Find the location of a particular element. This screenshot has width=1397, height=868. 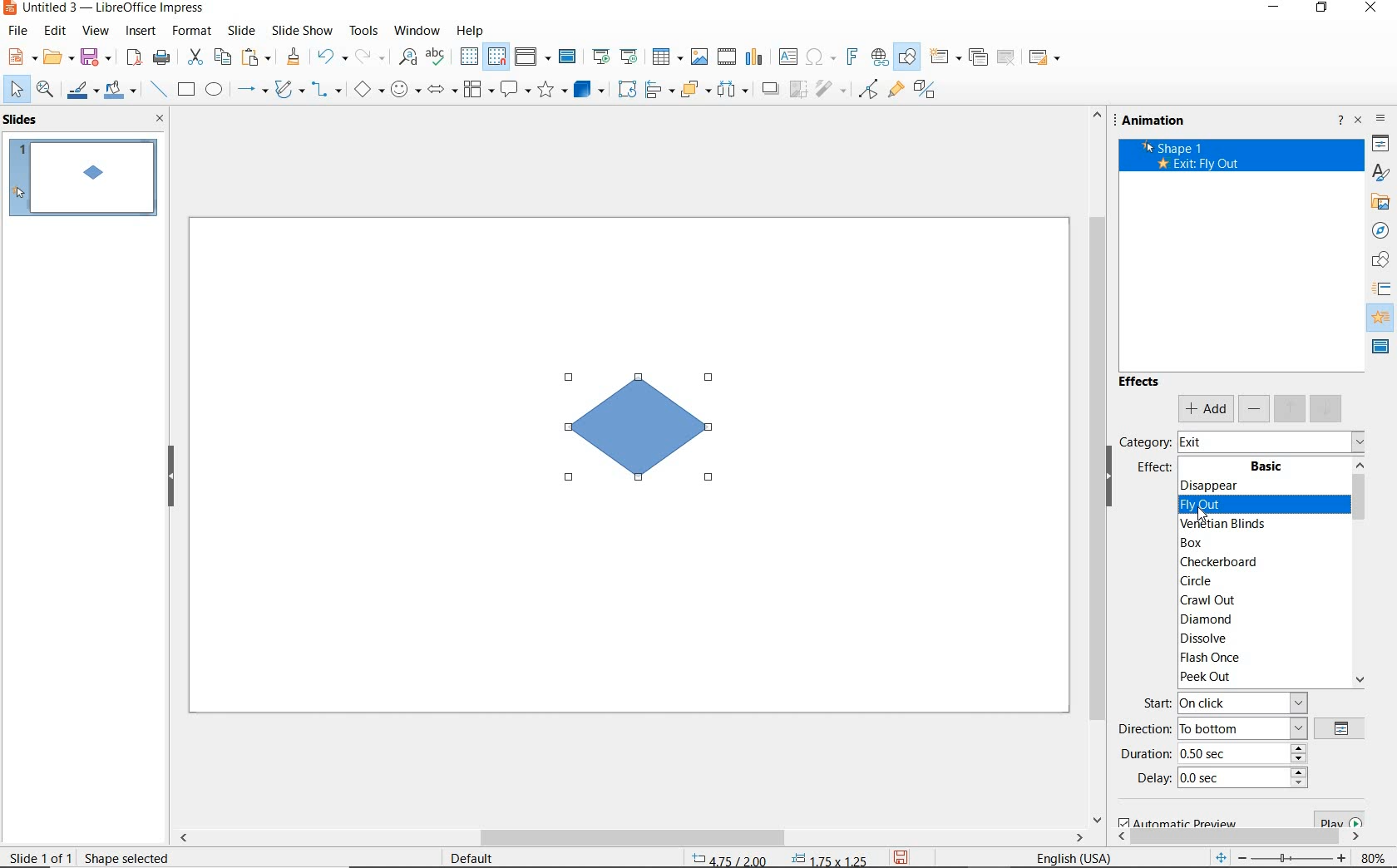

move up is located at coordinates (1291, 409).